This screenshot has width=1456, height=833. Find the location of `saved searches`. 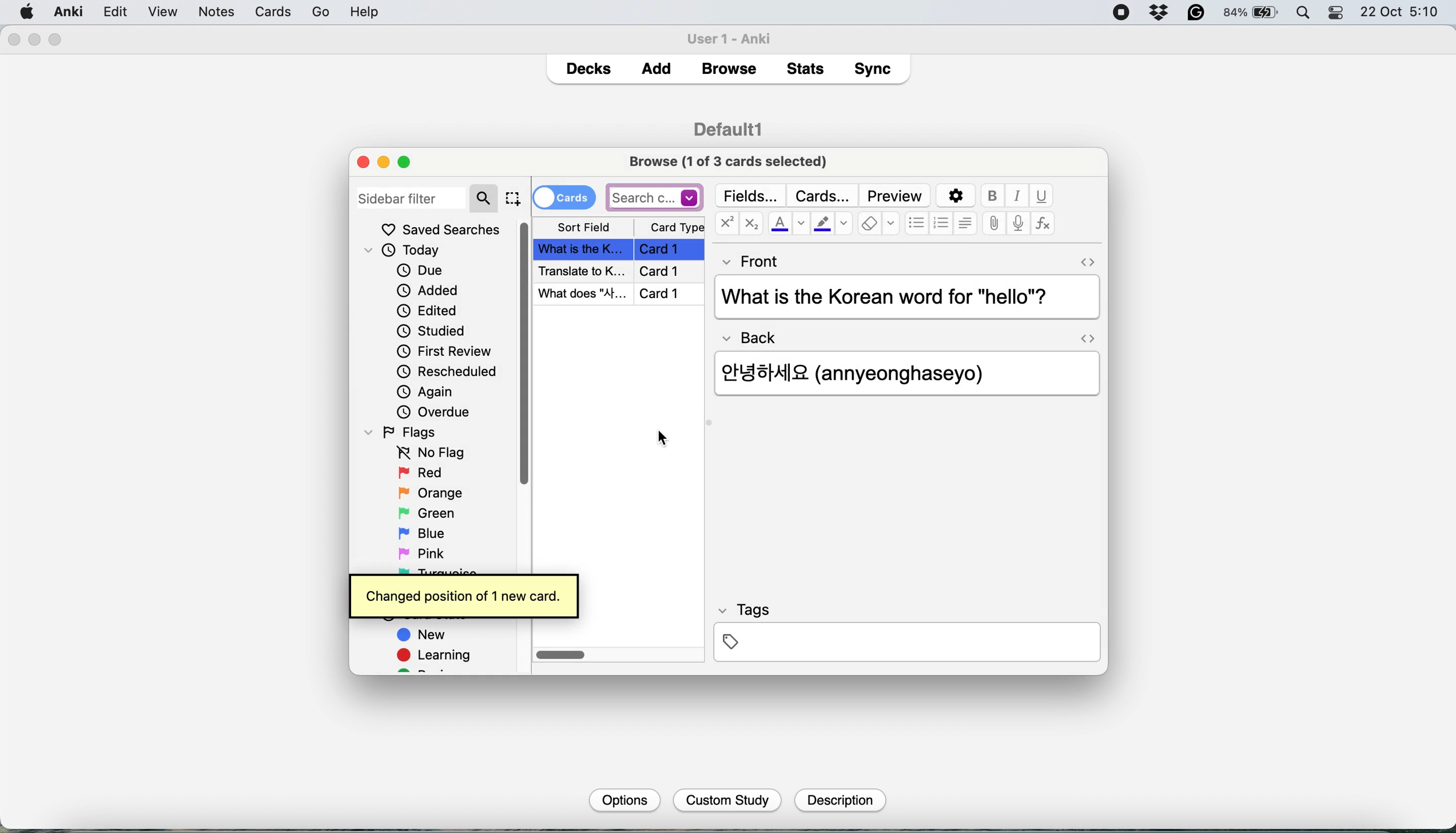

saved searches is located at coordinates (441, 229).